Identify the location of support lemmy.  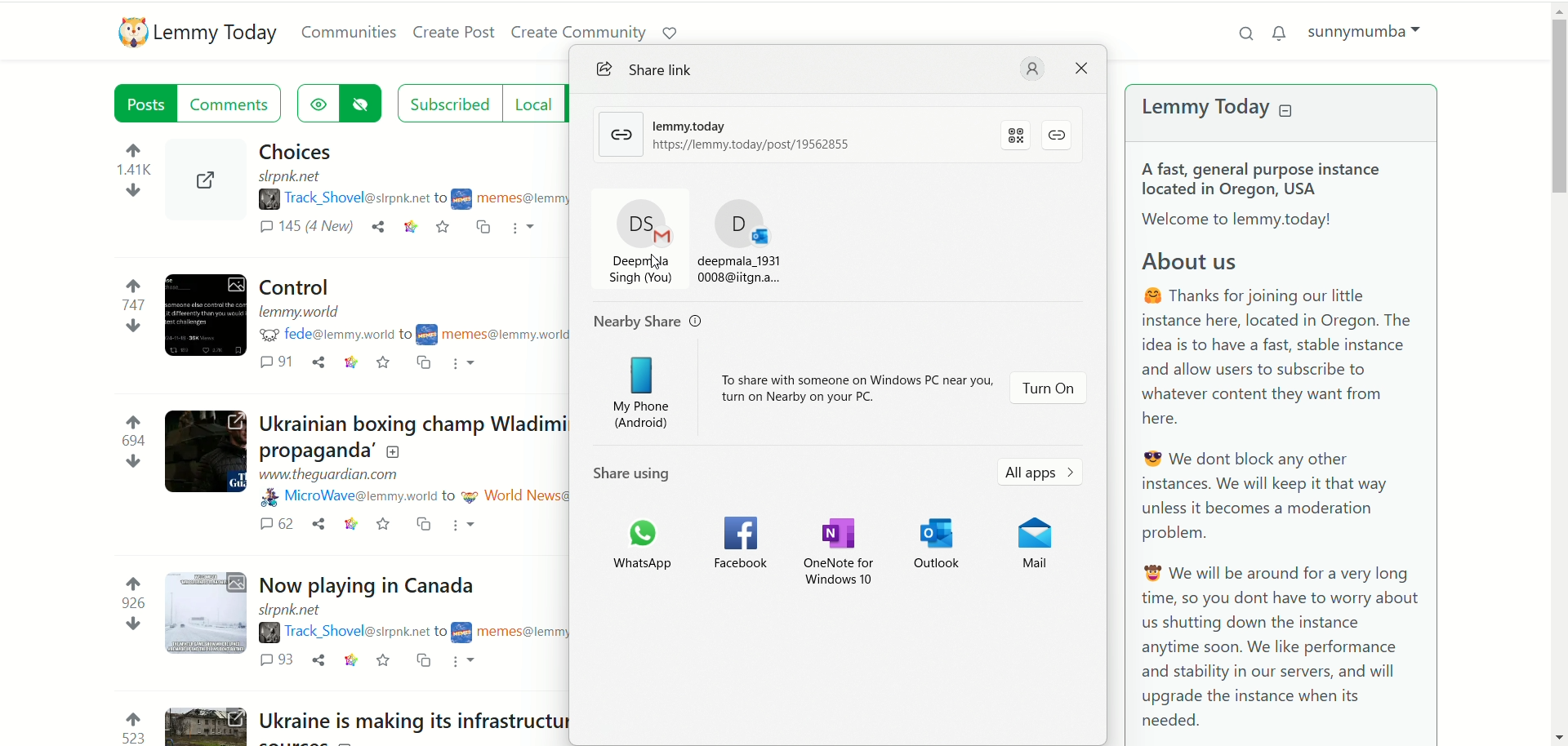
(669, 32).